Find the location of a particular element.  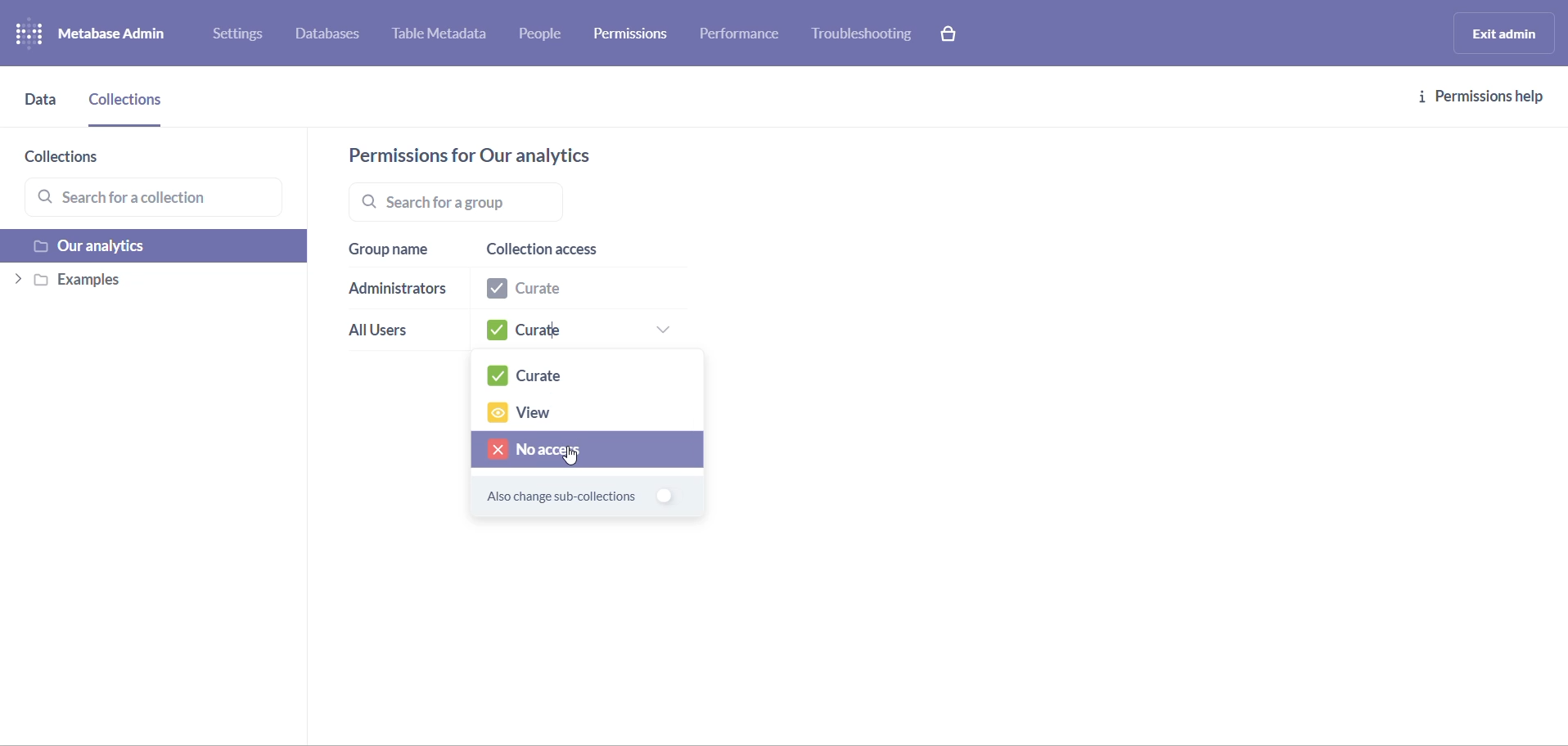

access level is located at coordinates (574, 291).